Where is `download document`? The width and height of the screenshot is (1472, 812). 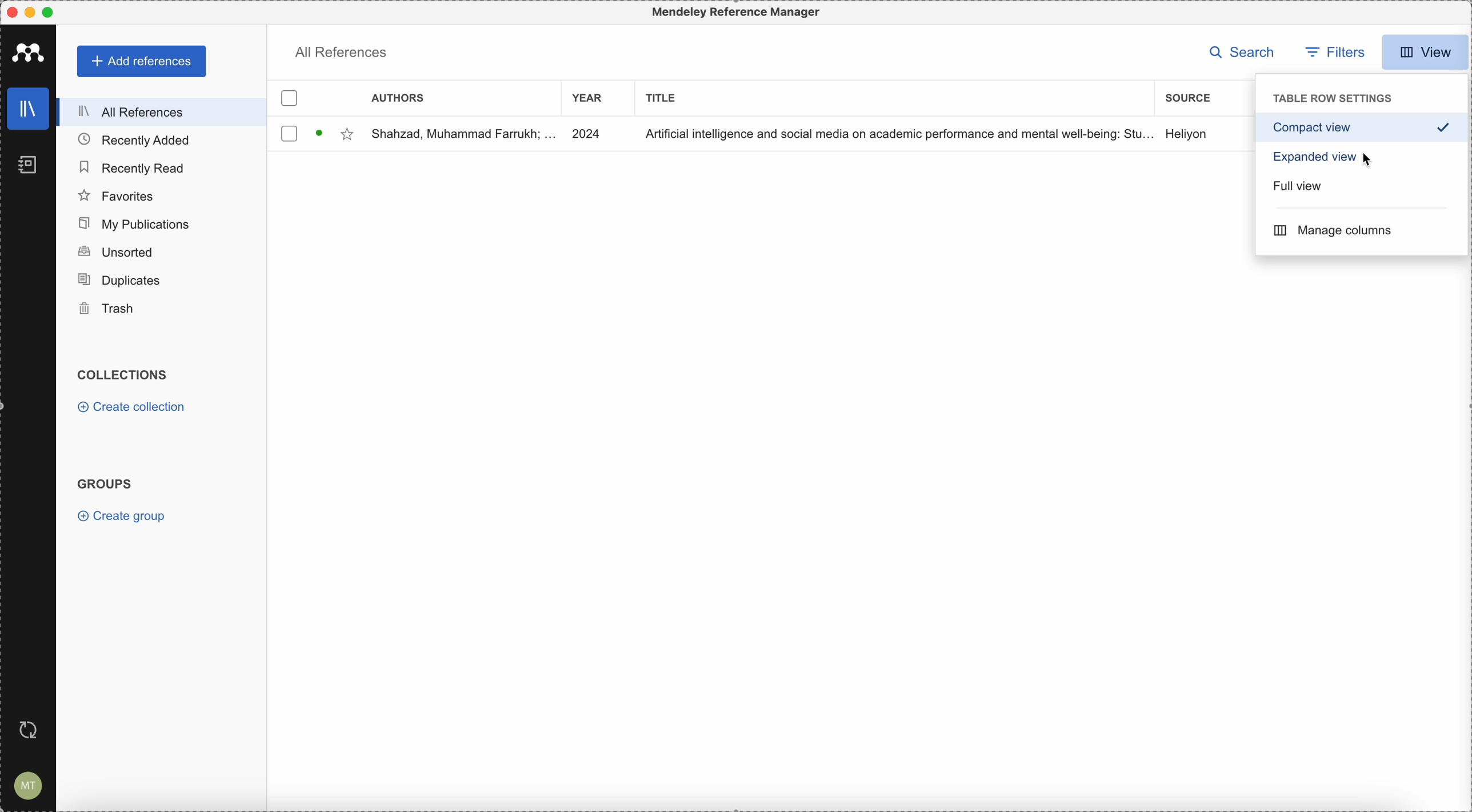
download document is located at coordinates (319, 133).